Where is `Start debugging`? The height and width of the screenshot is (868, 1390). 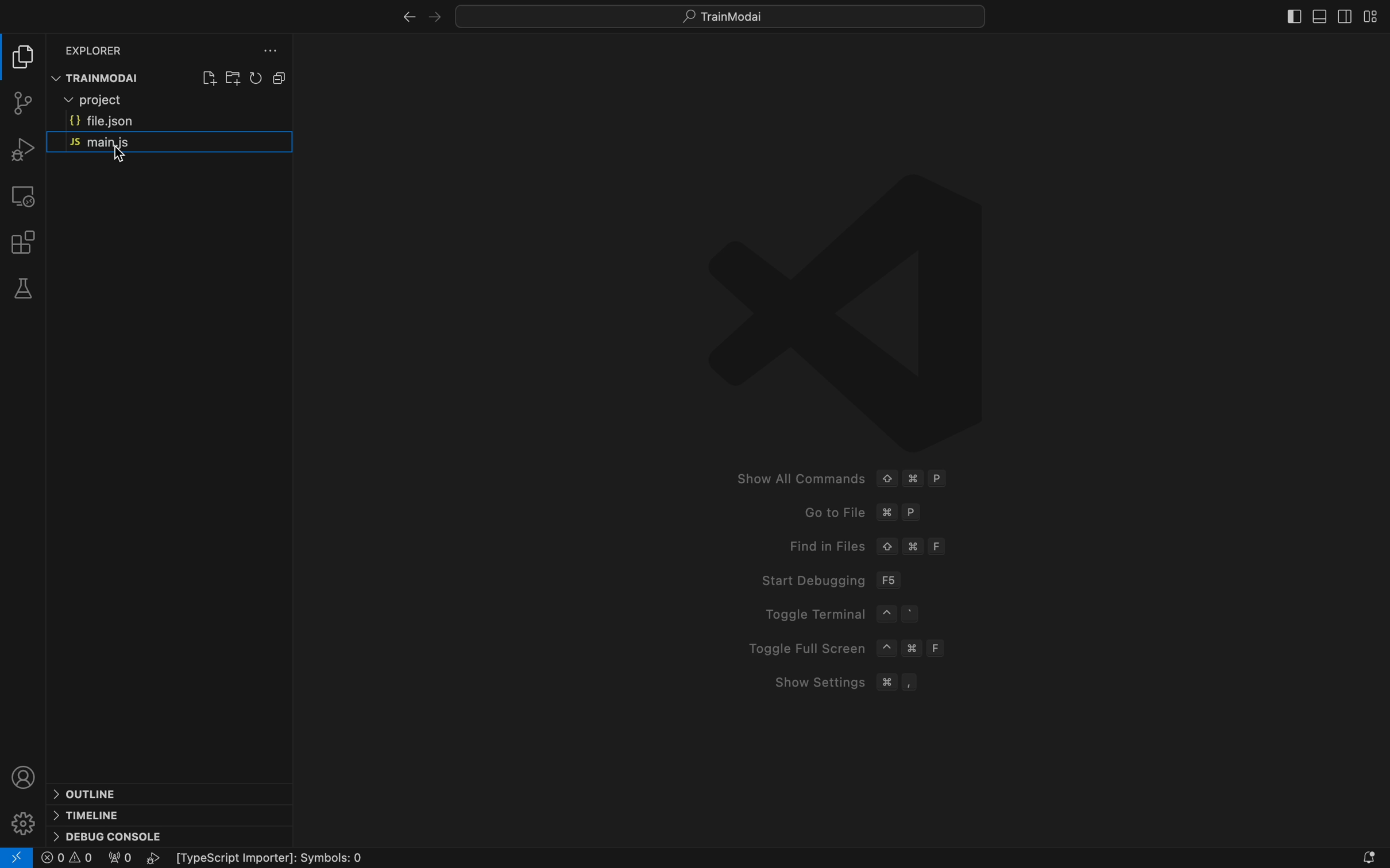
Start debugging is located at coordinates (829, 581).